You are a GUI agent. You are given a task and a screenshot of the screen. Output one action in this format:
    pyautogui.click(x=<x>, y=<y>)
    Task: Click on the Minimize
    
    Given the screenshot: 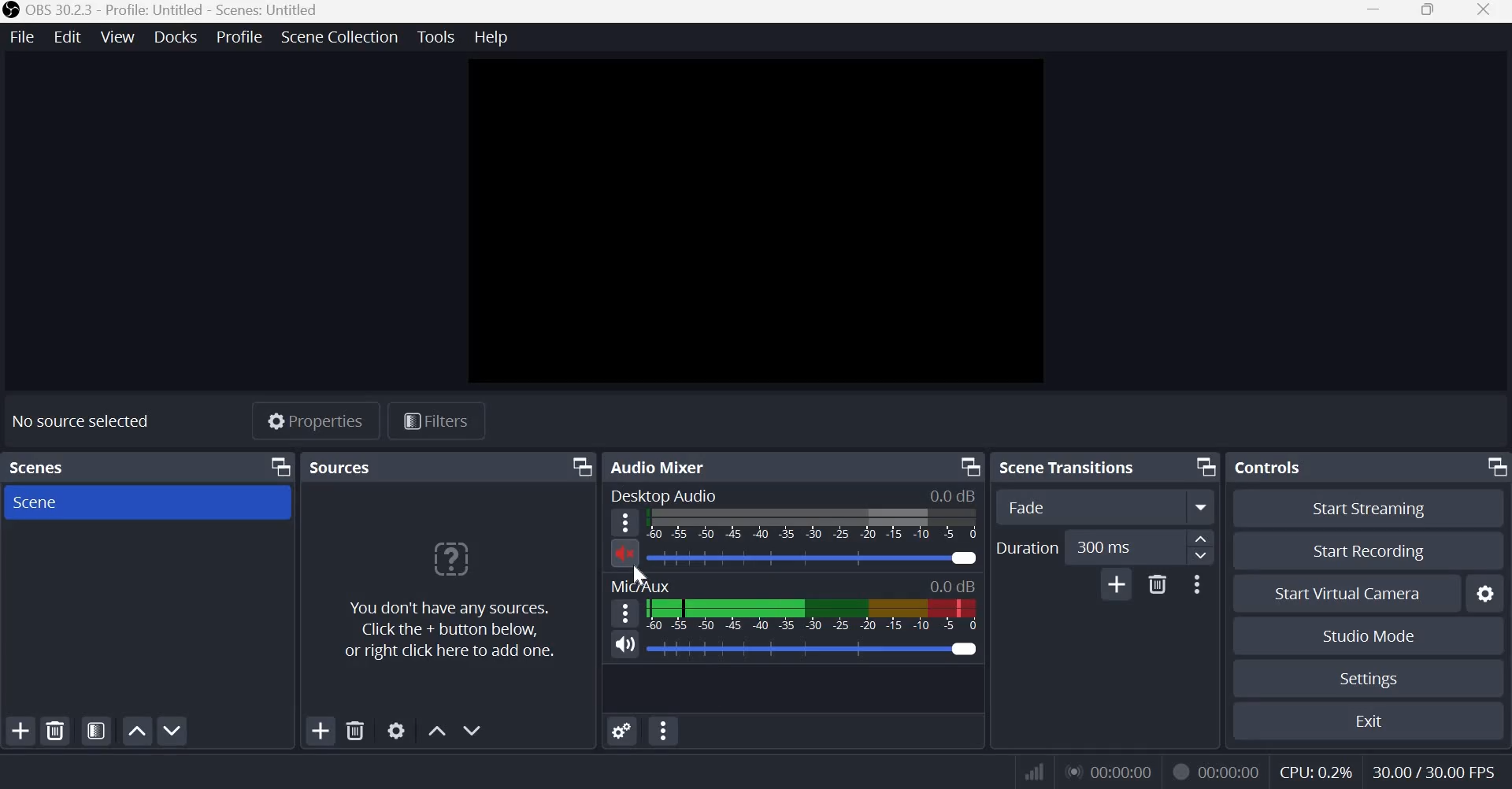 What is the action you would take?
    pyautogui.click(x=1373, y=11)
    